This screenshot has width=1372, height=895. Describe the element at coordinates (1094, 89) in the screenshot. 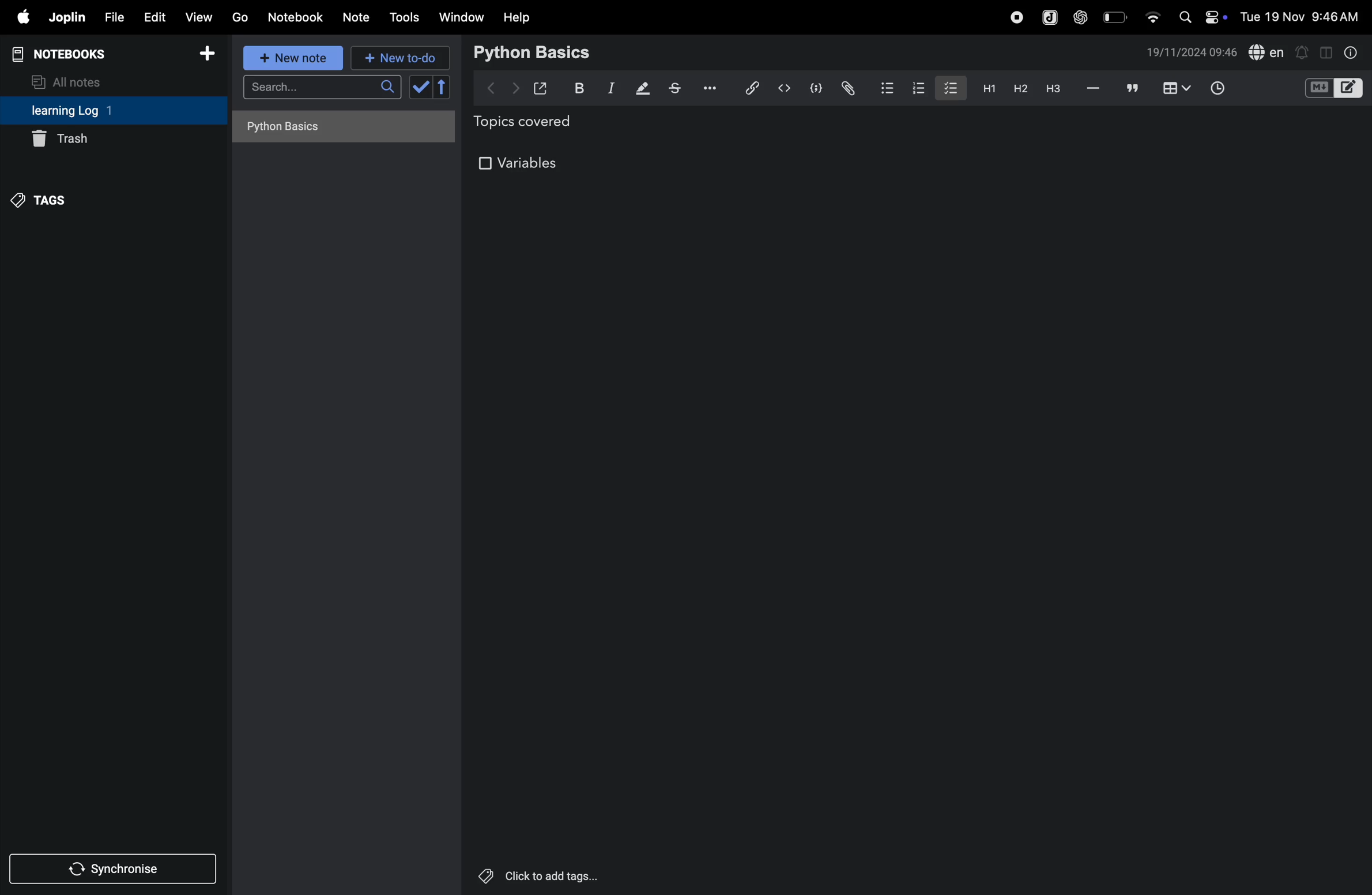

I see `hifen` at that location.